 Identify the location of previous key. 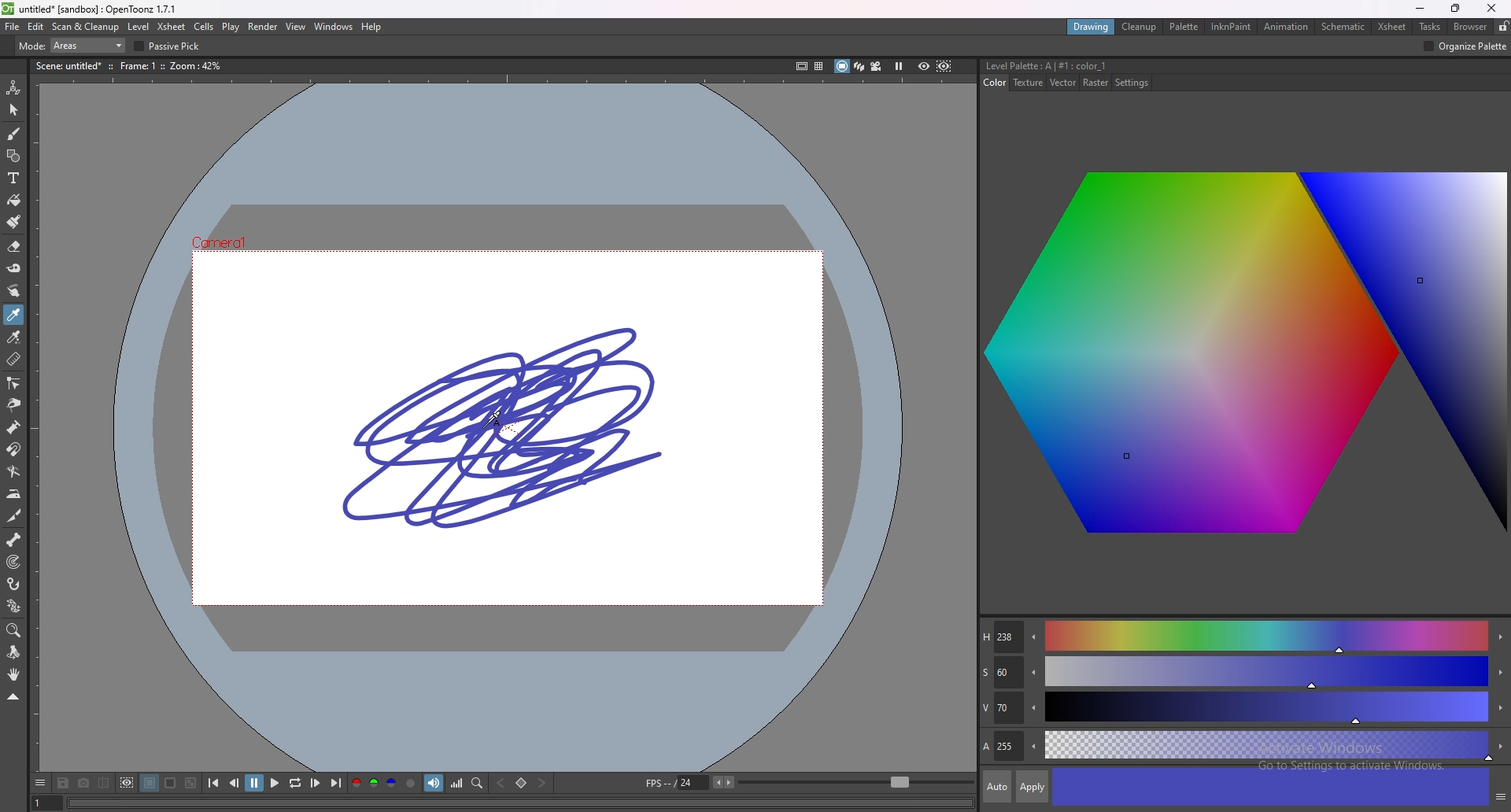
(501, 782).